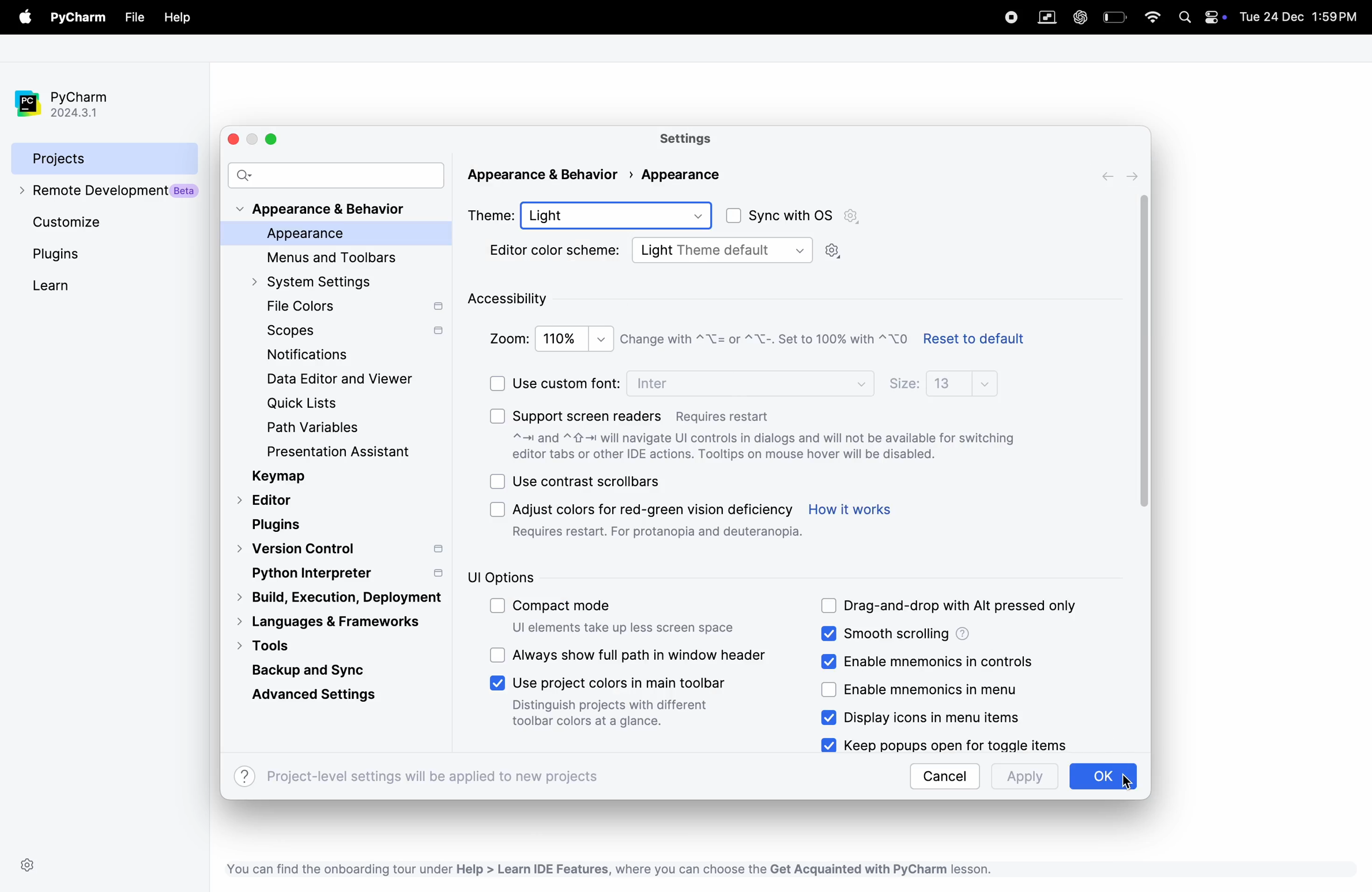  Describe the element at coordinates (332, 211) in the screenshot. I see `appearance & Behavior` at that location.